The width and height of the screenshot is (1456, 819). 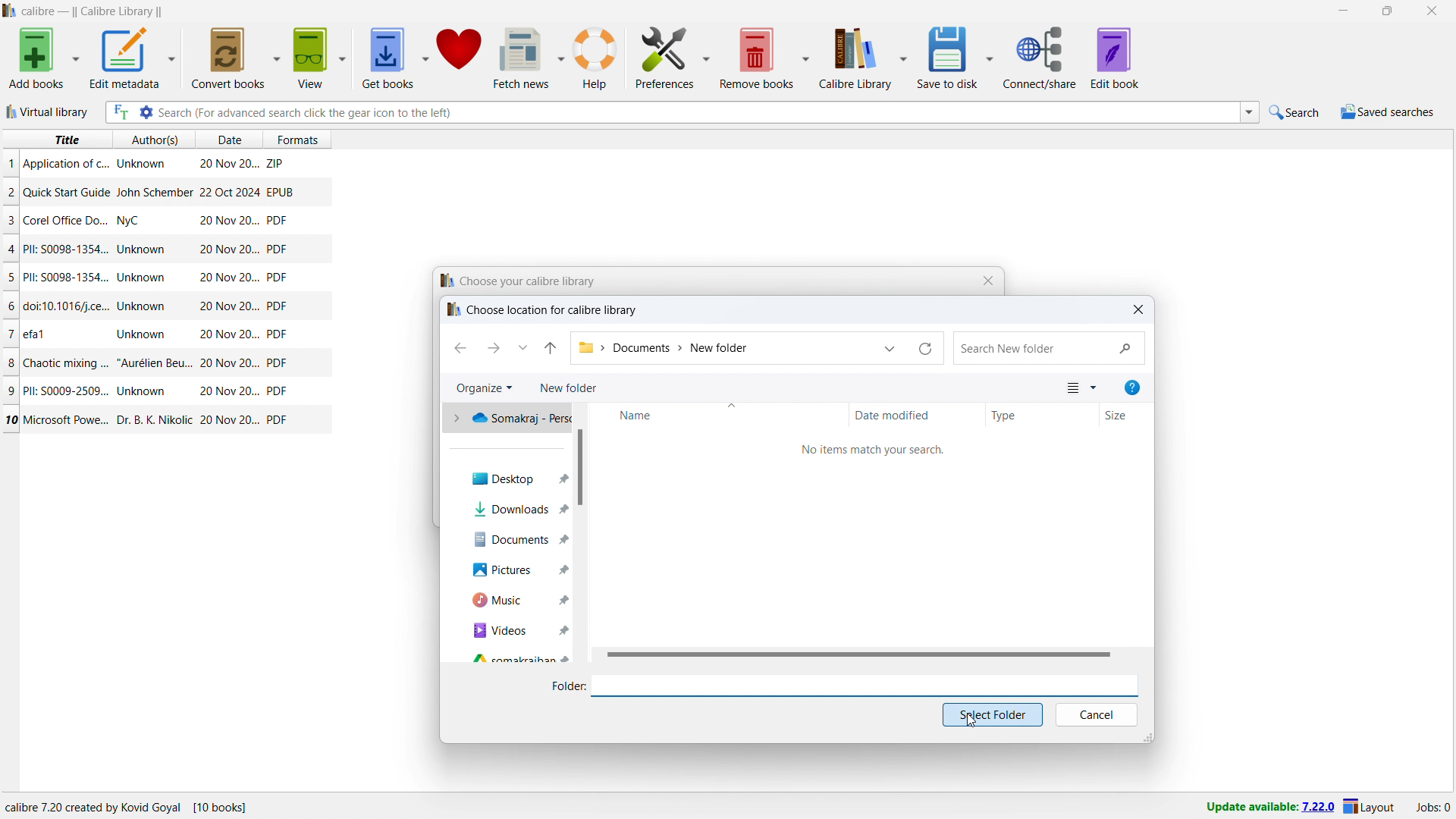 What do you see at coordinates (280, 191) in the screenshot?
I see `EPUB` at bounding box center [280, 191].